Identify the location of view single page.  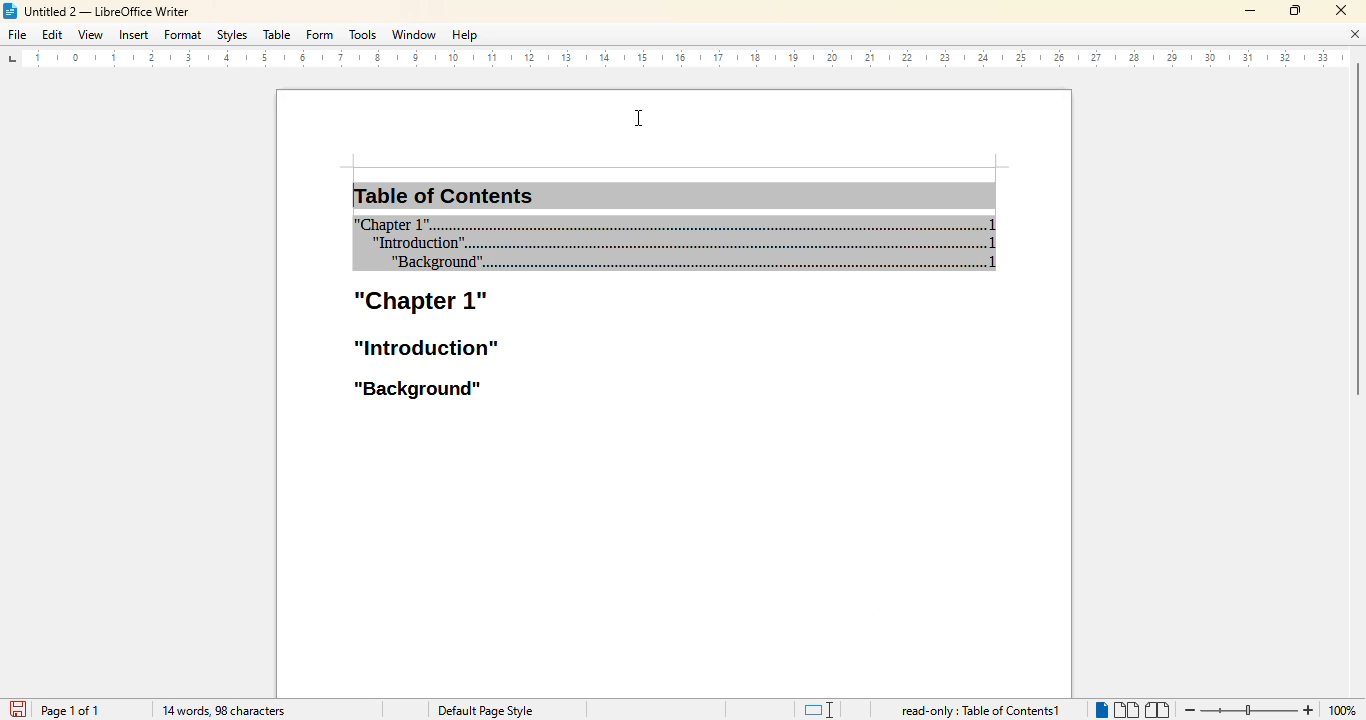
(1099, 707).